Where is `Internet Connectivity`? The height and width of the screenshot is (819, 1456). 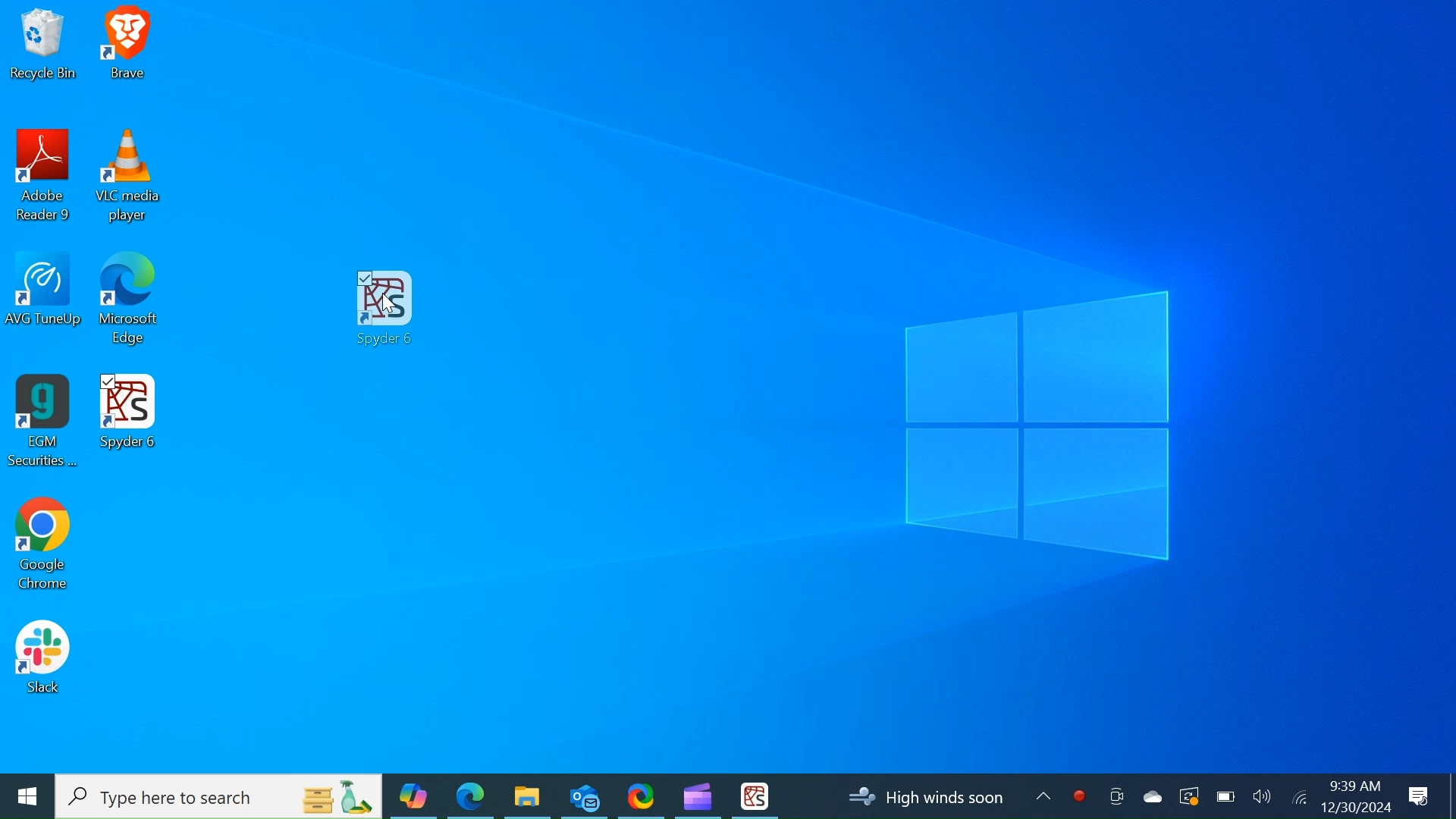 Internet Connectivity is located at coordinates (1298, 795).